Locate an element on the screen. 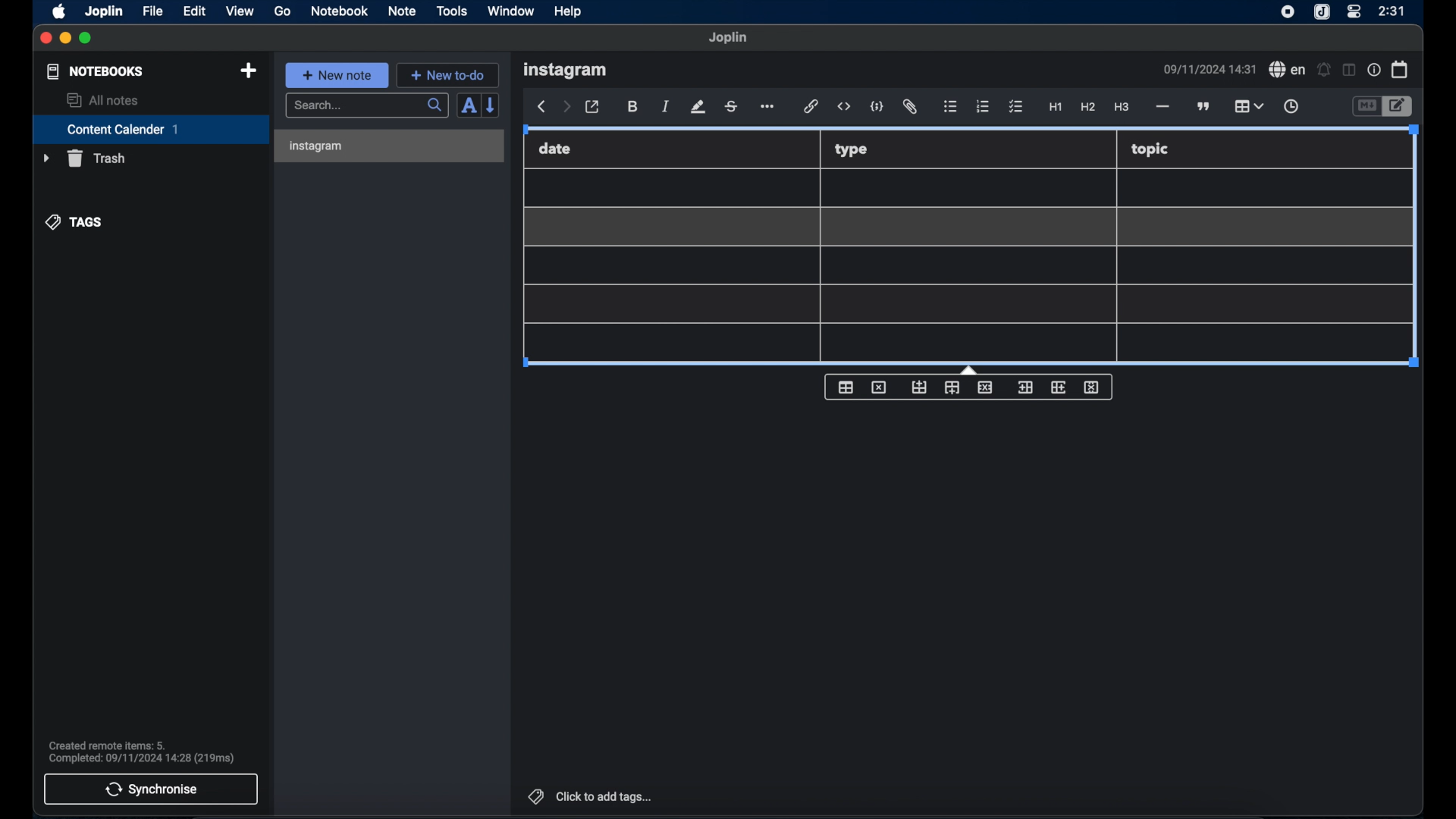 The image size is (1456, 819). table properties is located at coordinates (846, 387).